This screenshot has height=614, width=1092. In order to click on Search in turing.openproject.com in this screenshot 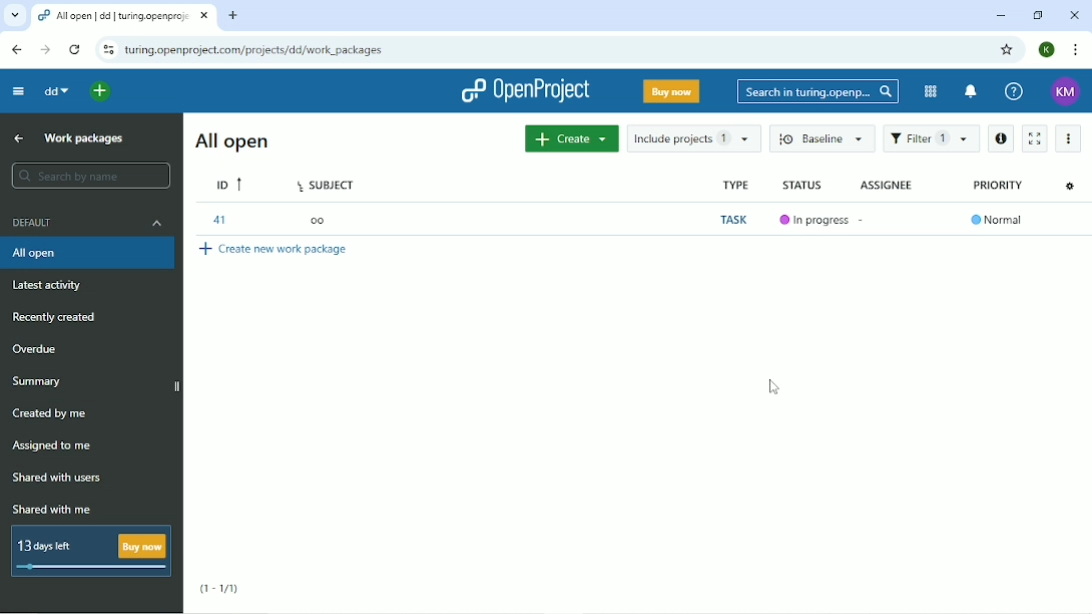, I will do `click(819, 91)`.